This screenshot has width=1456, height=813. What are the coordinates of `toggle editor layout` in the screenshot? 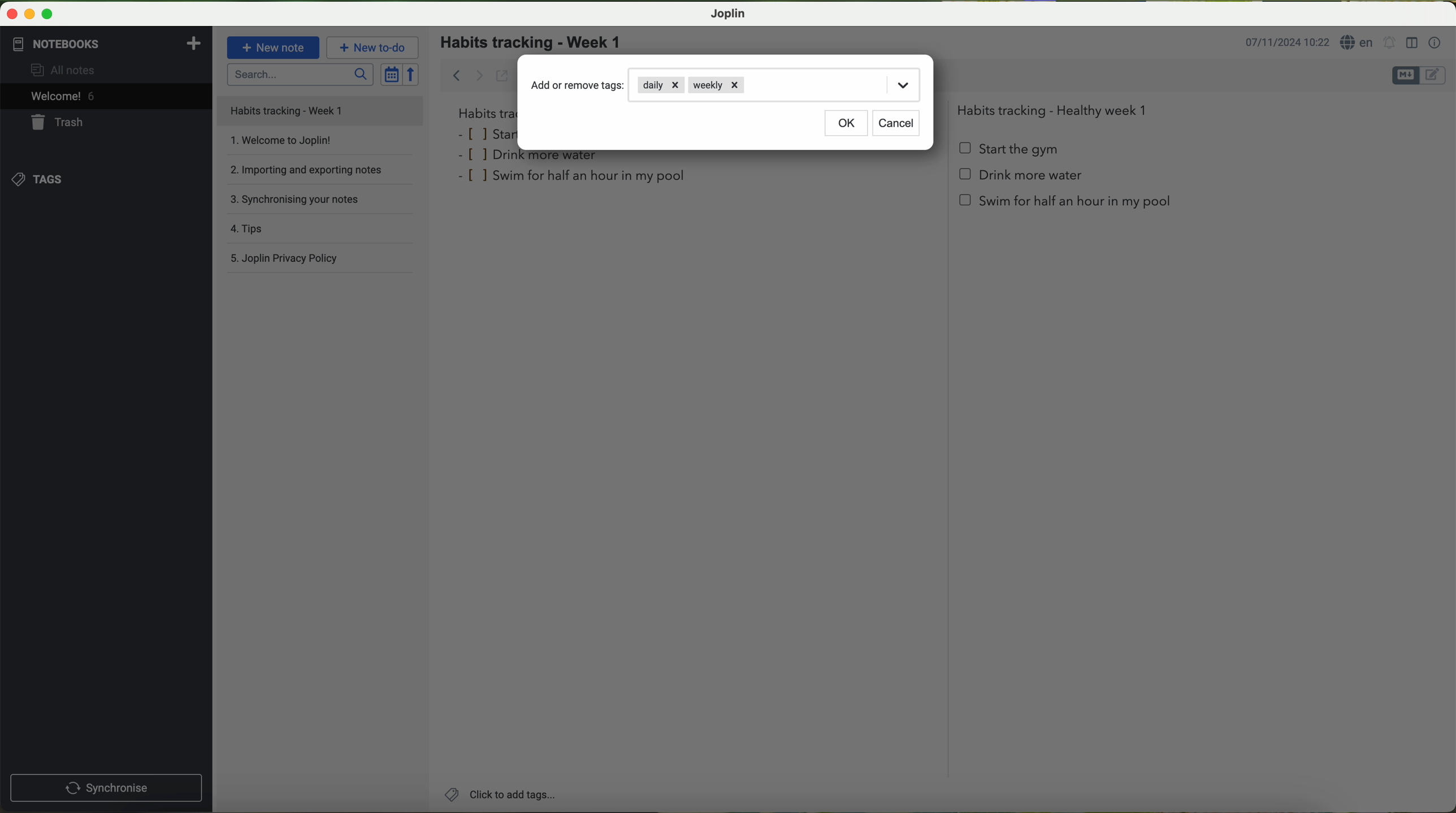 It's located at (1412, 43).